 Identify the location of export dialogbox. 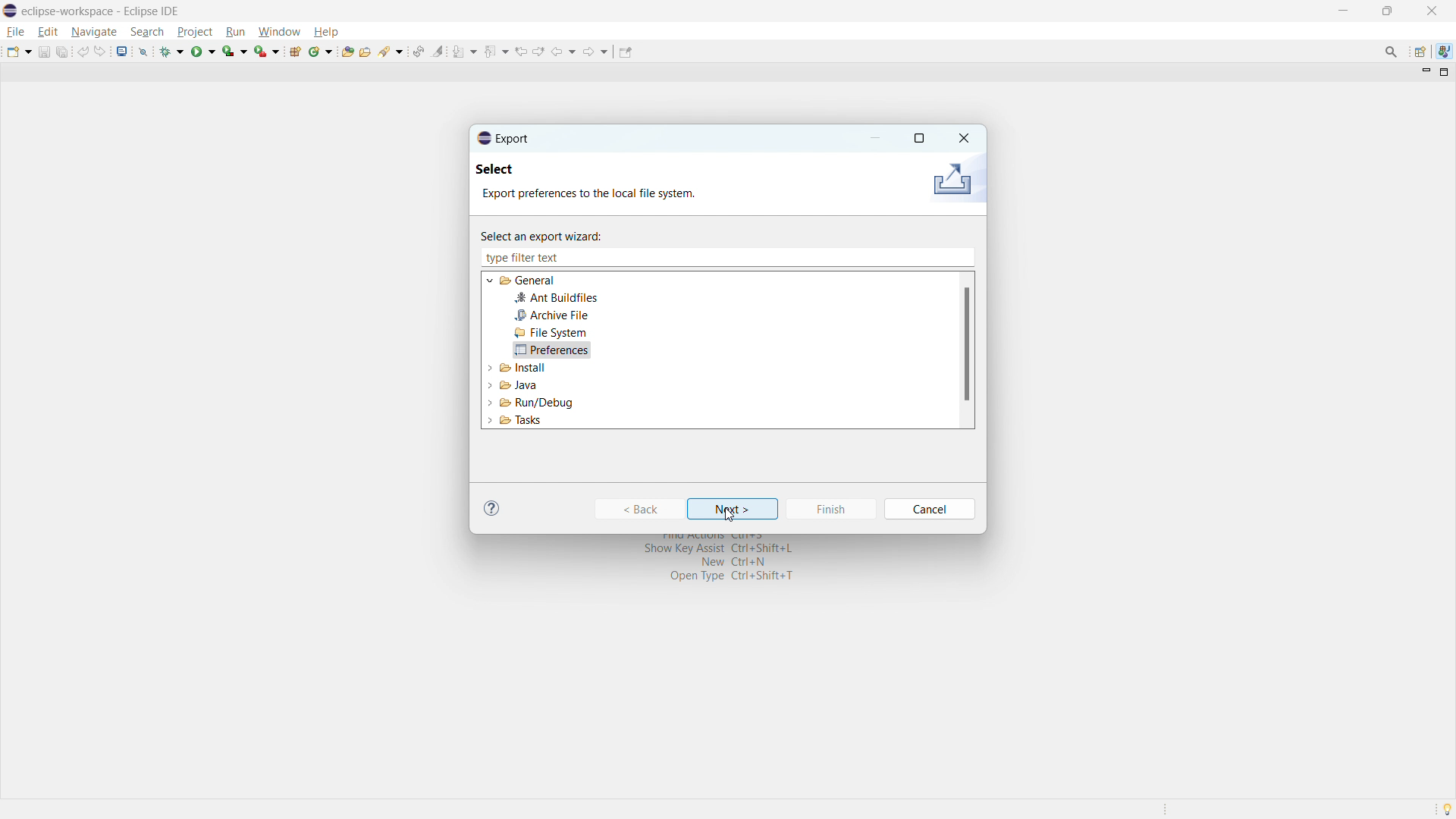
(504, 138).